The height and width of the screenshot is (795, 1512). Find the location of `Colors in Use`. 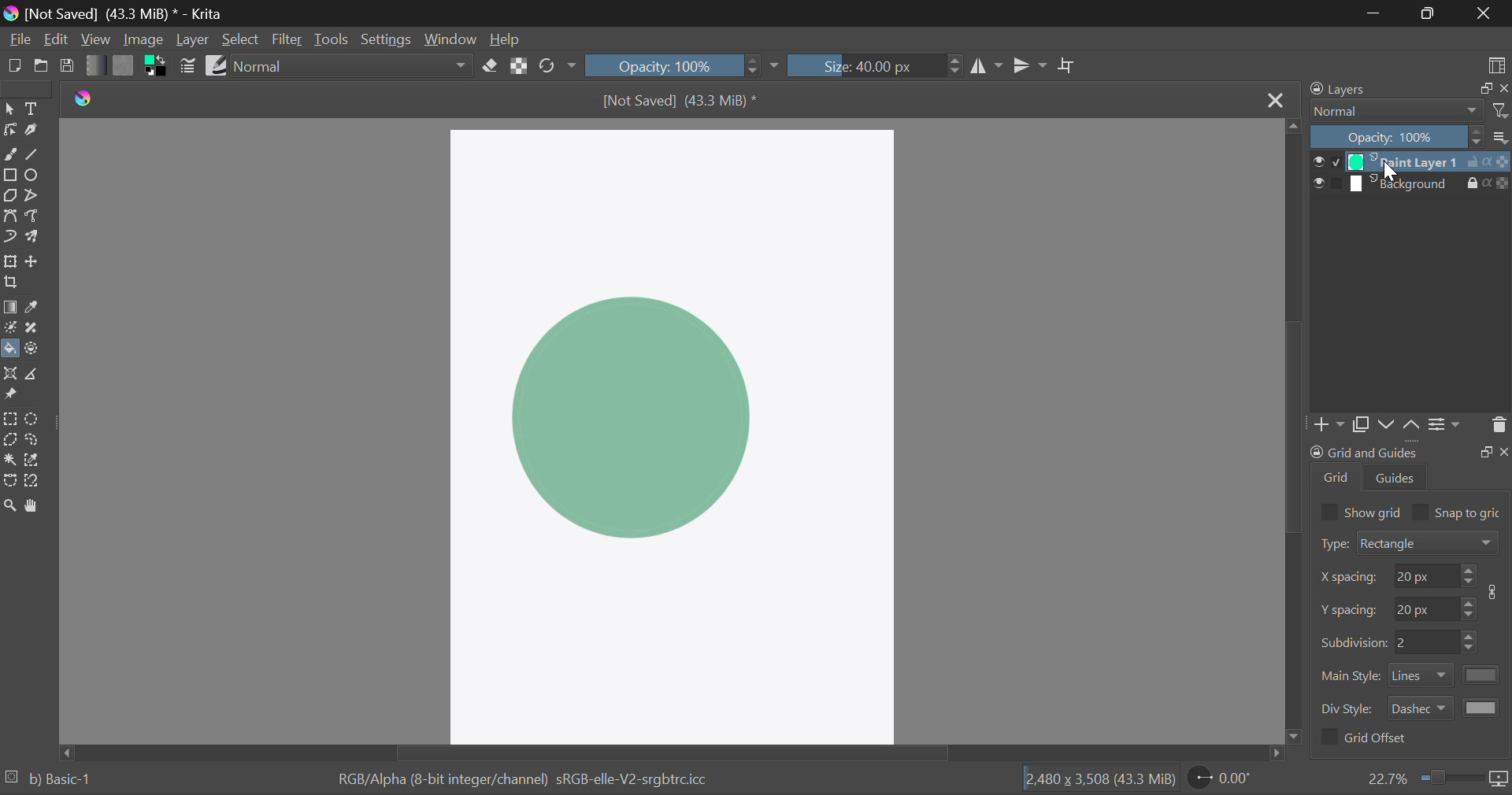

Colors in Use is located at coordinates (157, 68).